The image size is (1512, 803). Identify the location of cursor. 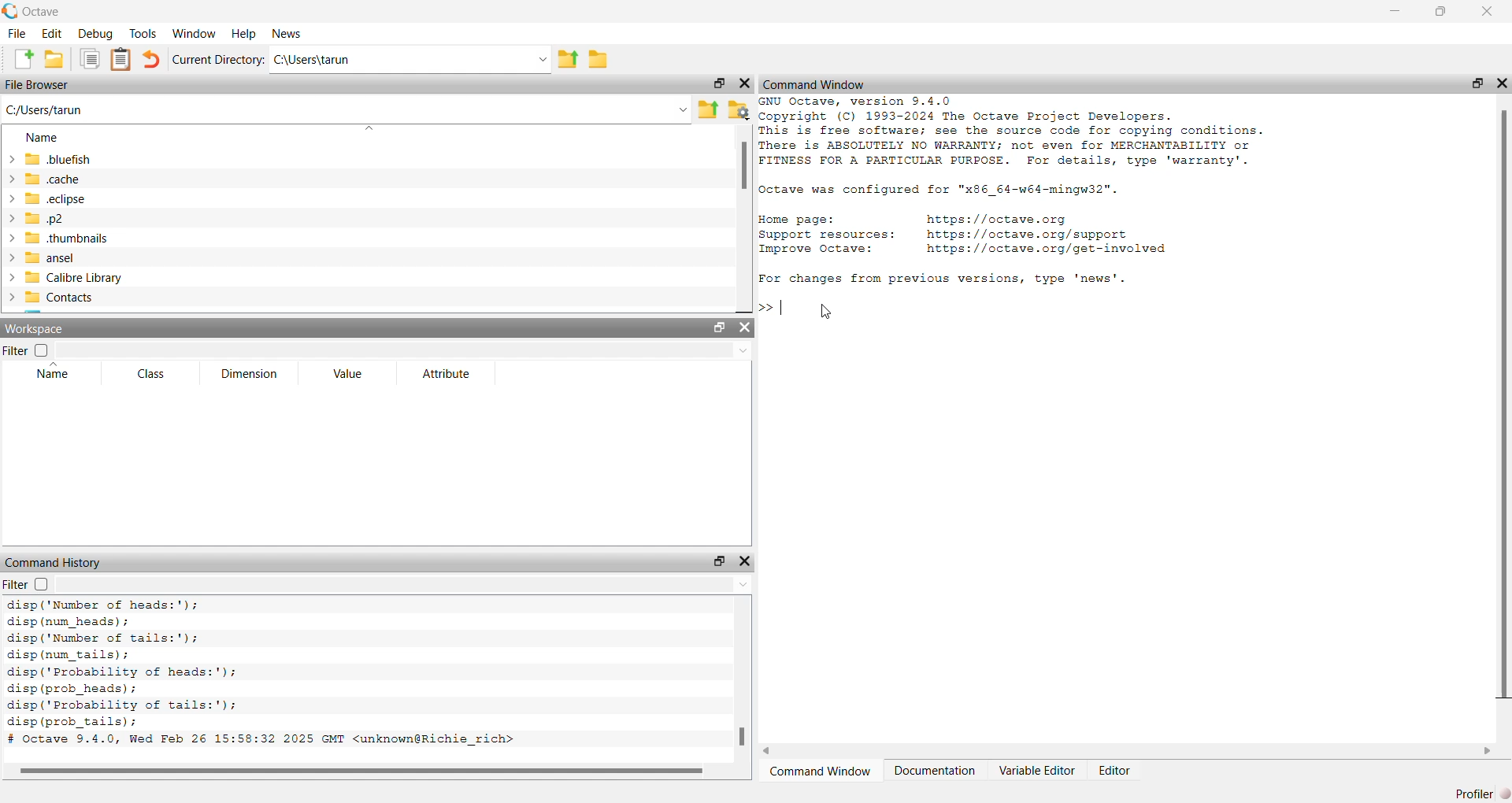
(827, 313).